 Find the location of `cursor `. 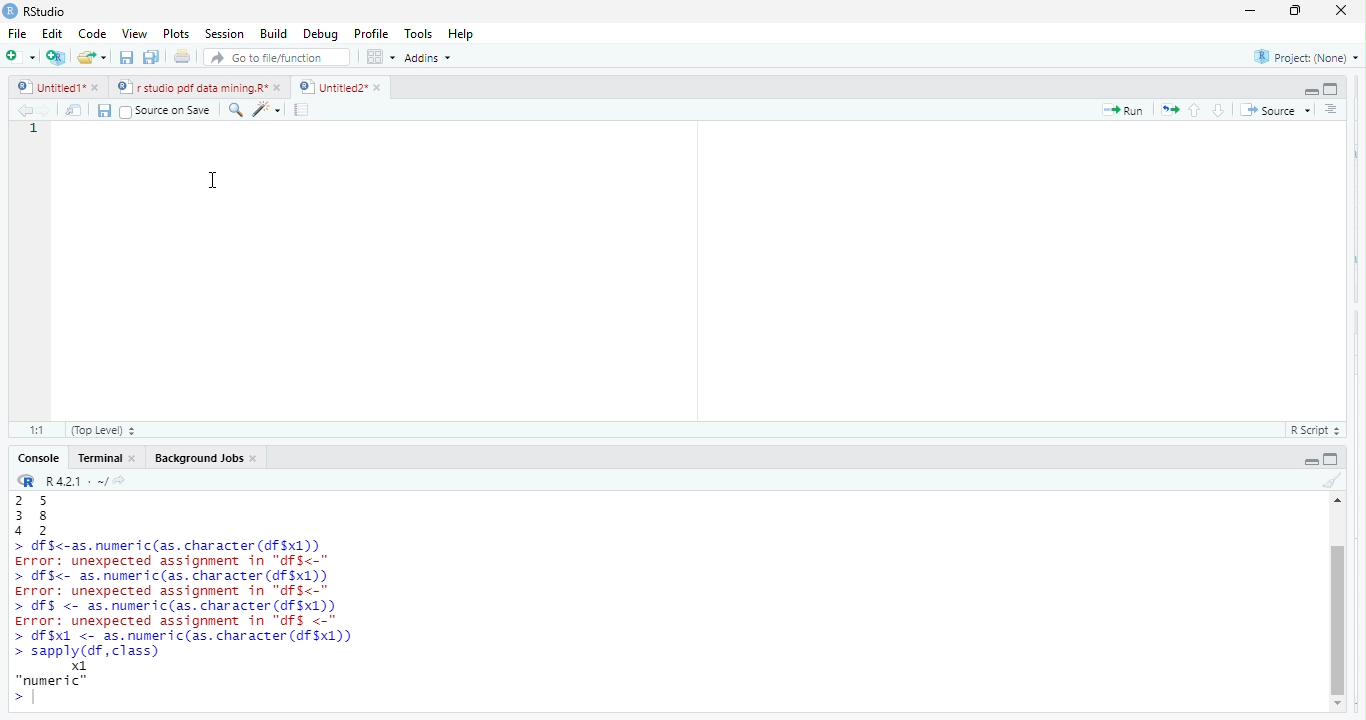

cursor  is located at coordinates (216, 182).